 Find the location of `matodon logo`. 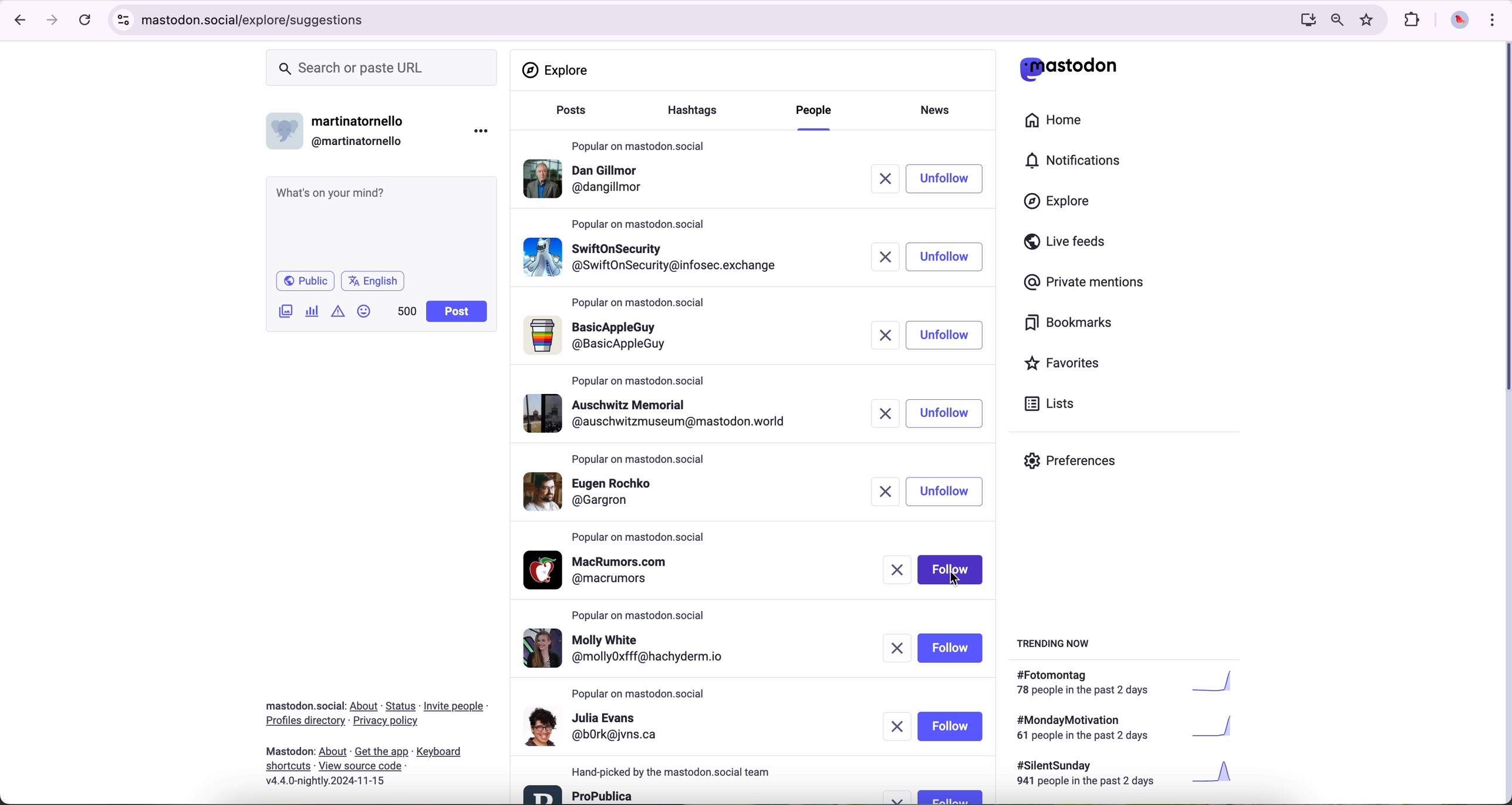

matodon logo is located at coordinates (1069, 69).